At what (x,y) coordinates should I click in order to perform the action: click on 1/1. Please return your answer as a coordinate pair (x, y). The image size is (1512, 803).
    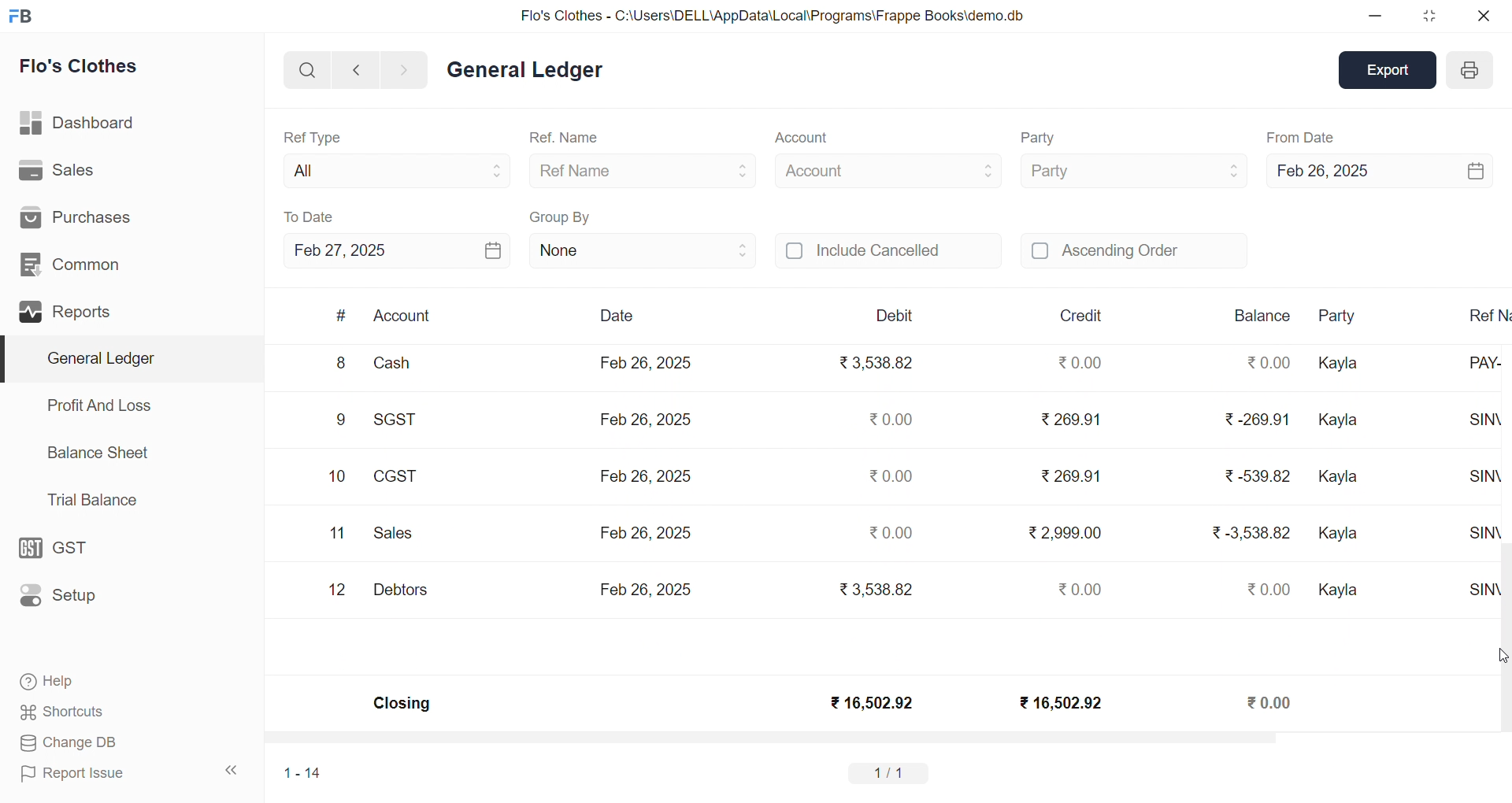
    Looking at the image, I should click on (892, 772).